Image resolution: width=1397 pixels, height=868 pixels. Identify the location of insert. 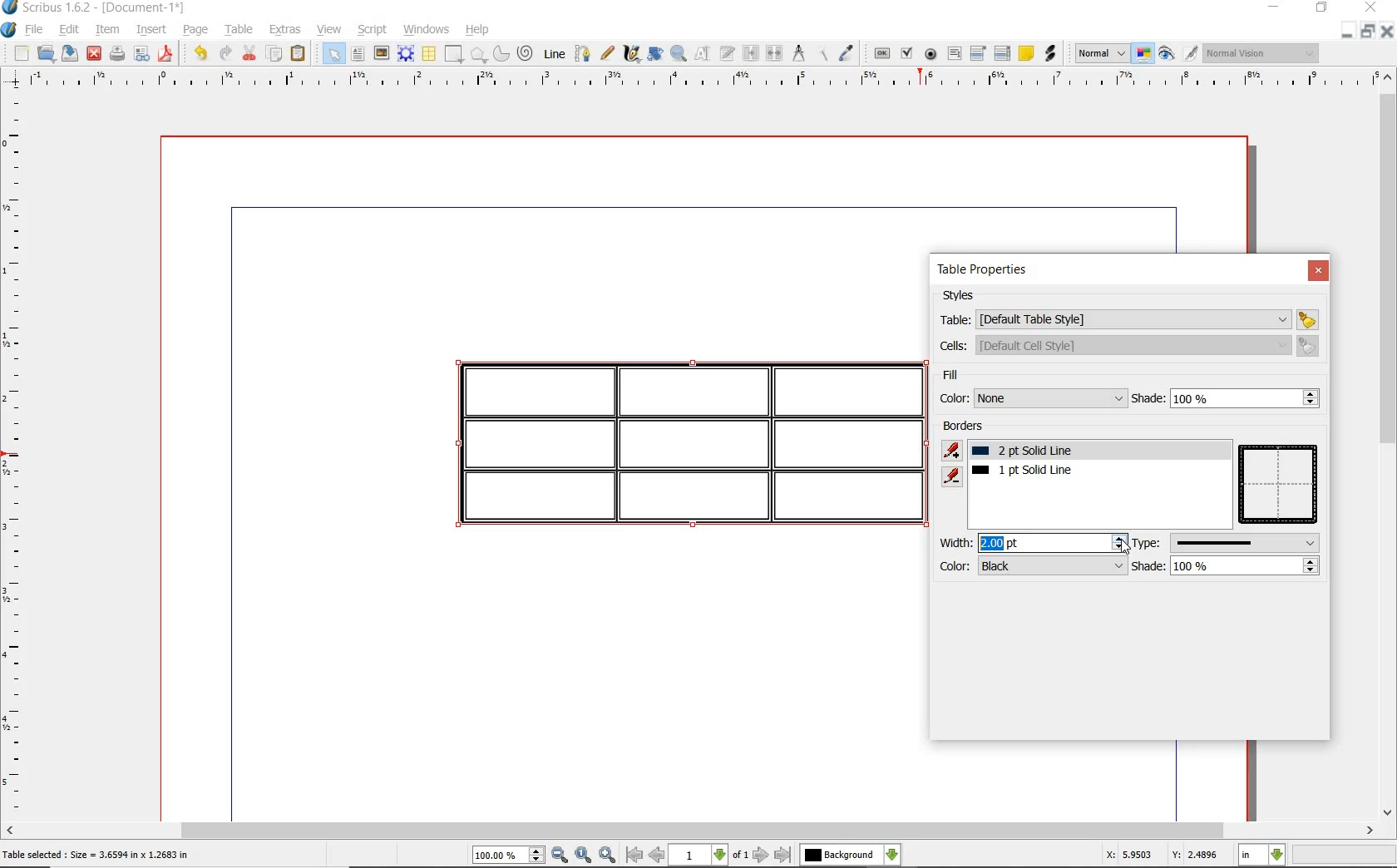
(155, 28).